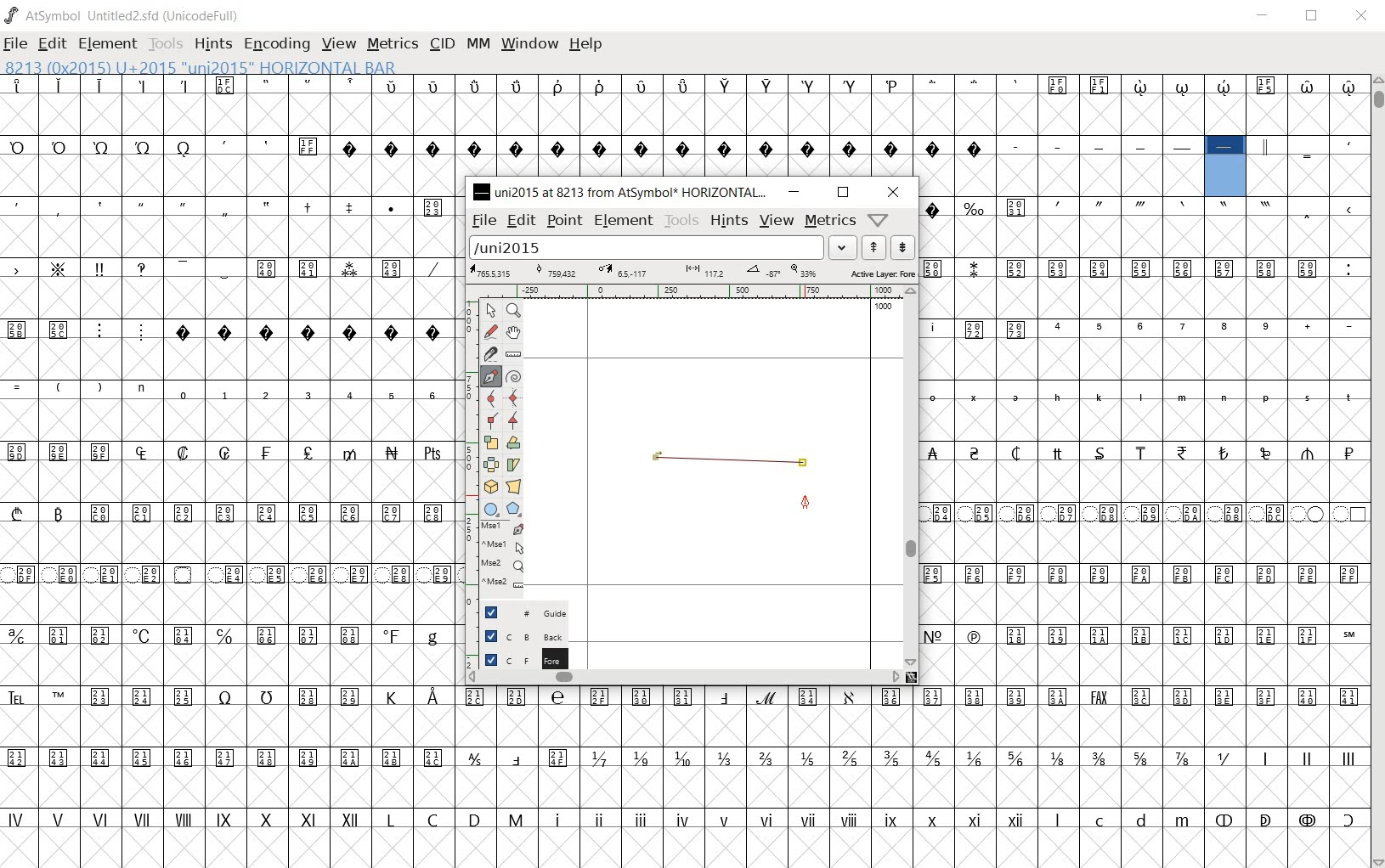  What do you see at coordinates (828, 220) in the screenshot?
I see `metrics` at bounding box center [828, 220].